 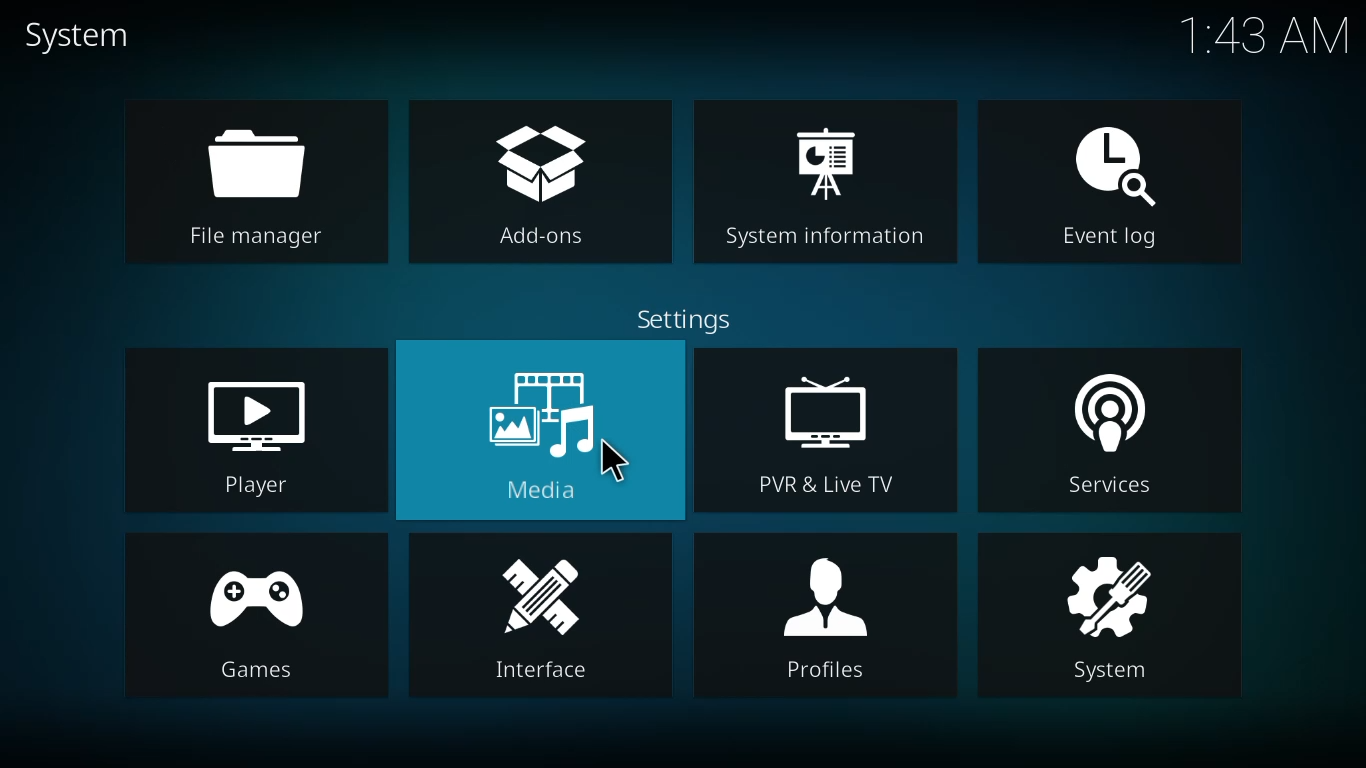 What do you see at coordinates (831, 182) in the screenshot?
I see `system information` at bounding box center [831, 182].